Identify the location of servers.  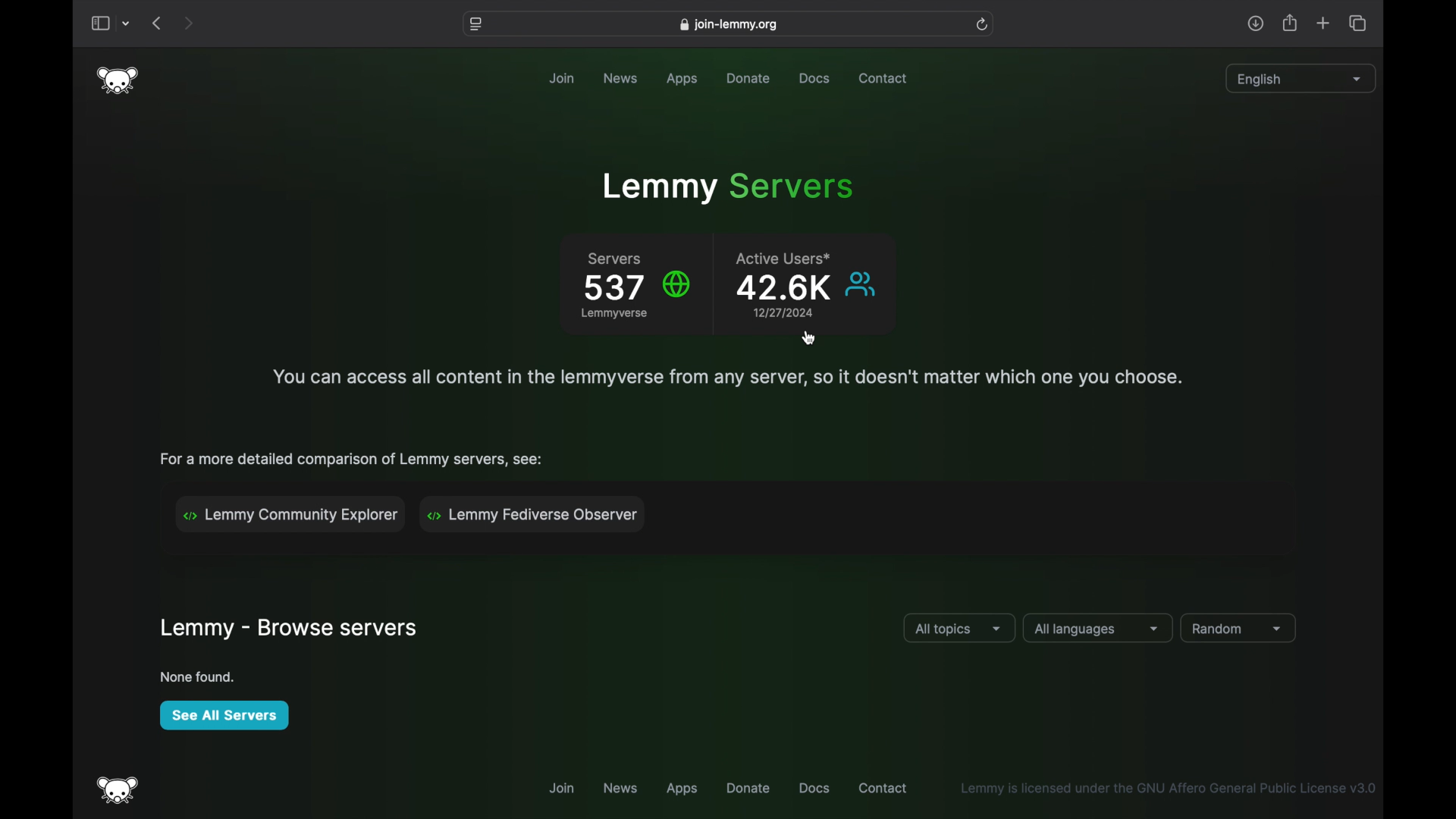
(613, 260).